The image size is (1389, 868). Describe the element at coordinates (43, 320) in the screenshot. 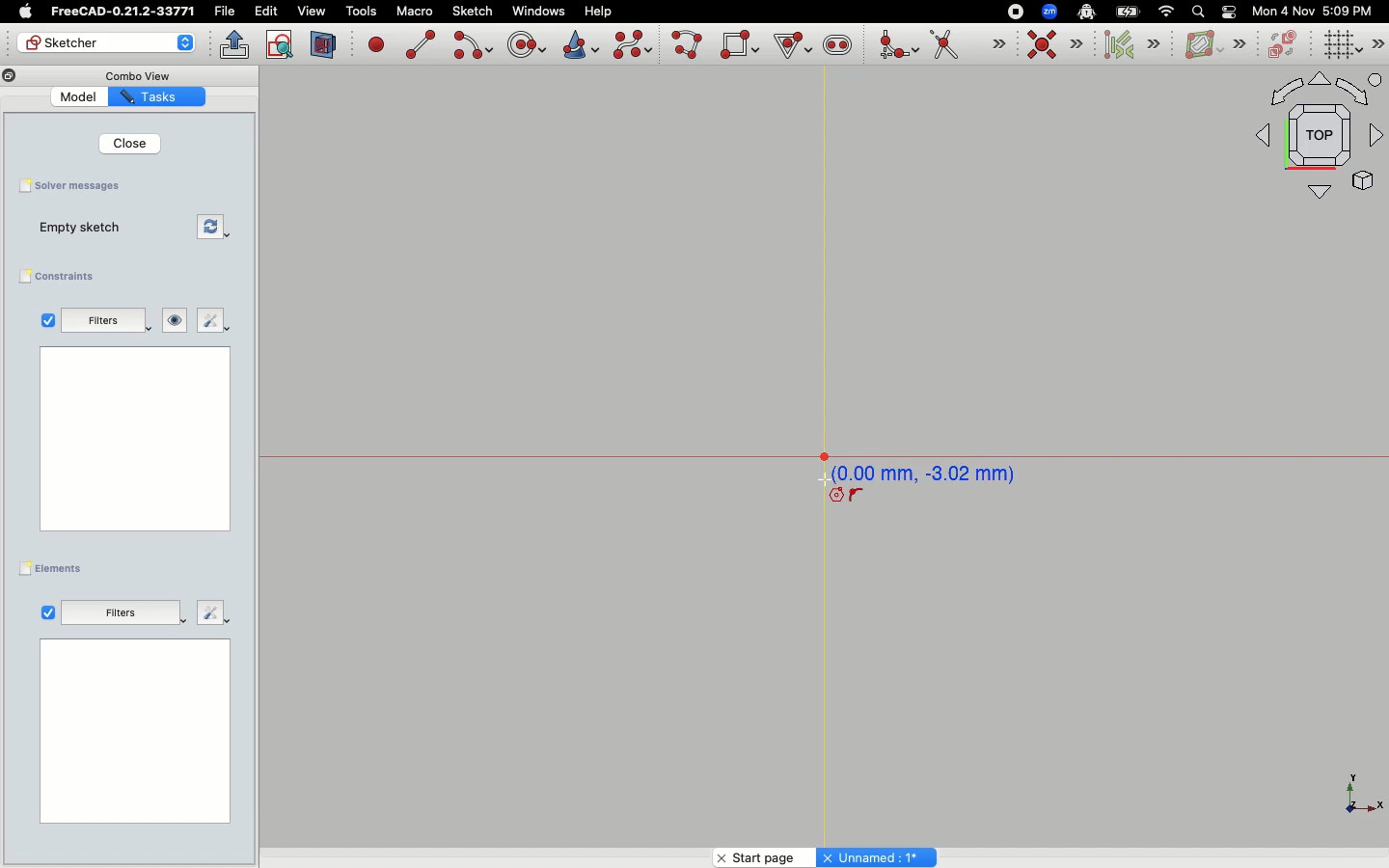

I see `Checkbox` at that location.